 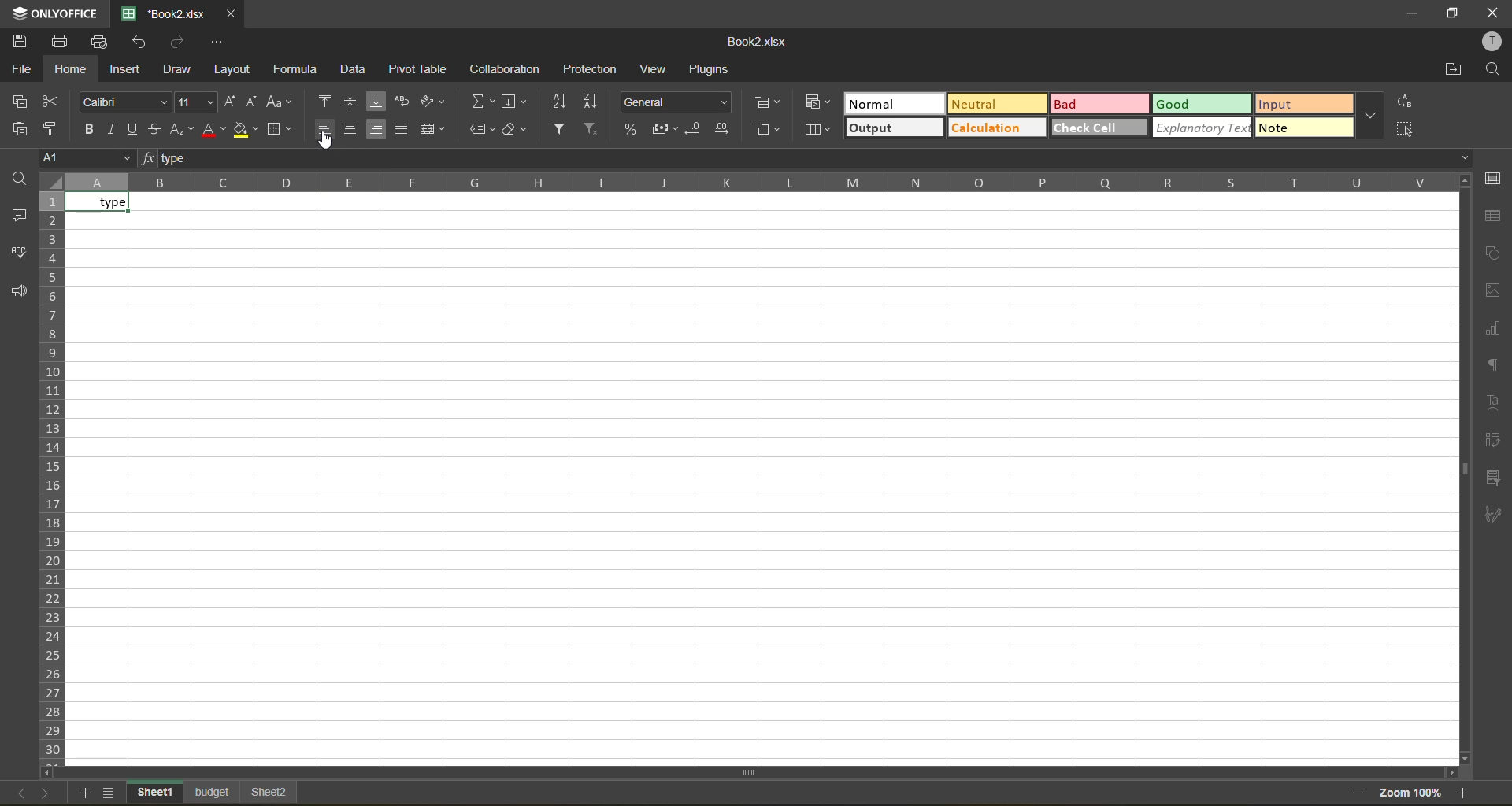 What do you see at coordinates (1494, 331) in the screenshot?
I see `charts` at bounding box center [1494, 331].